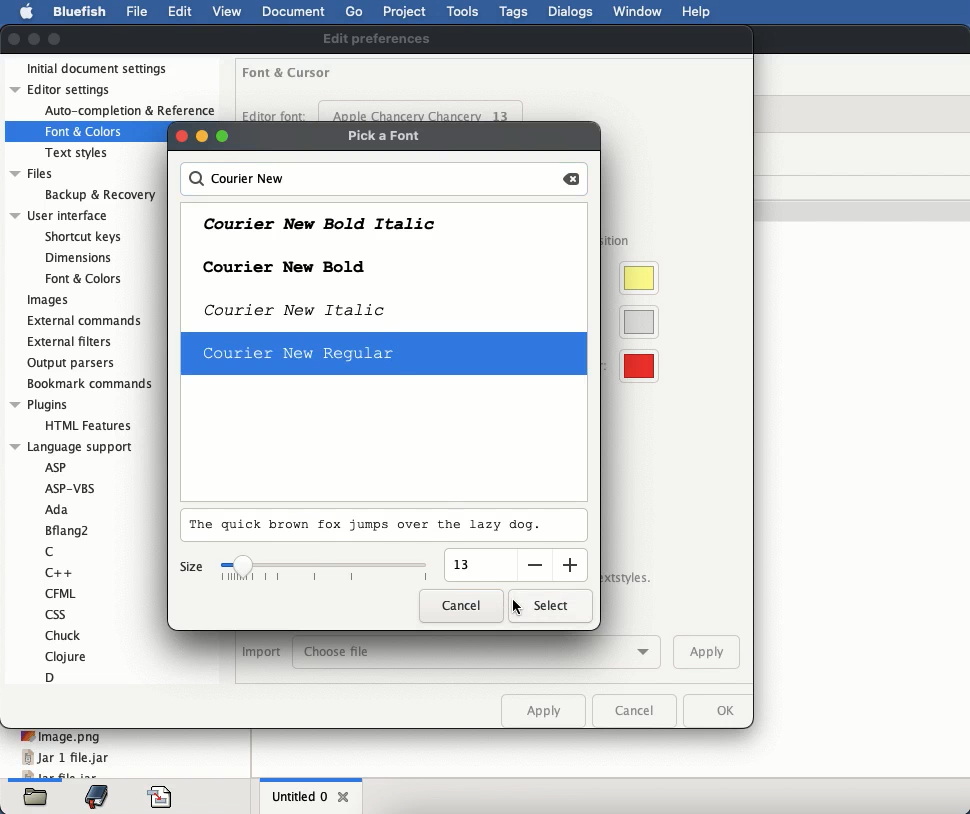  I want to click on input, so click(516, 564).